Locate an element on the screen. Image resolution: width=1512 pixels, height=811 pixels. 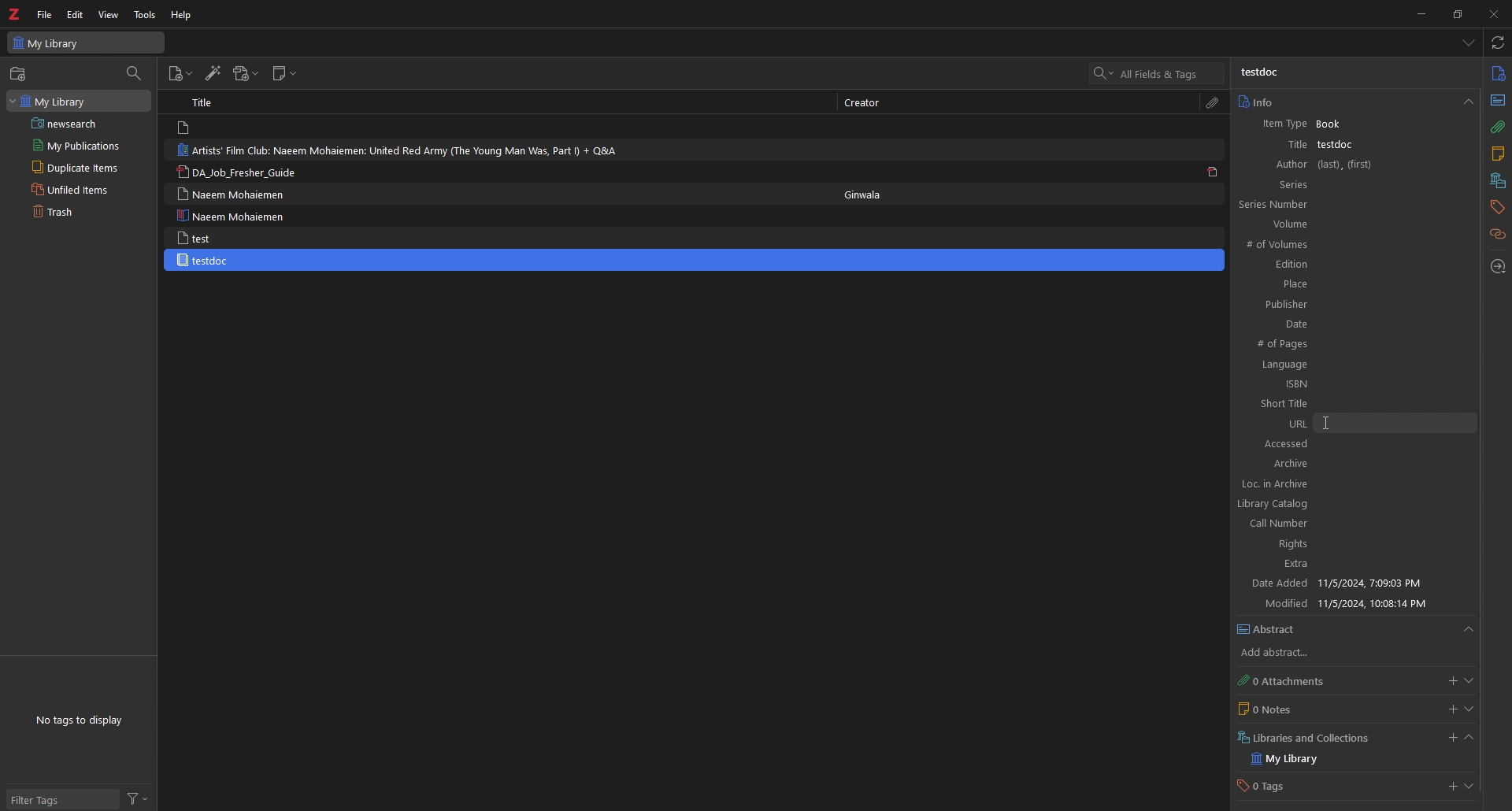
Series is located at coordinates (1325, 184).